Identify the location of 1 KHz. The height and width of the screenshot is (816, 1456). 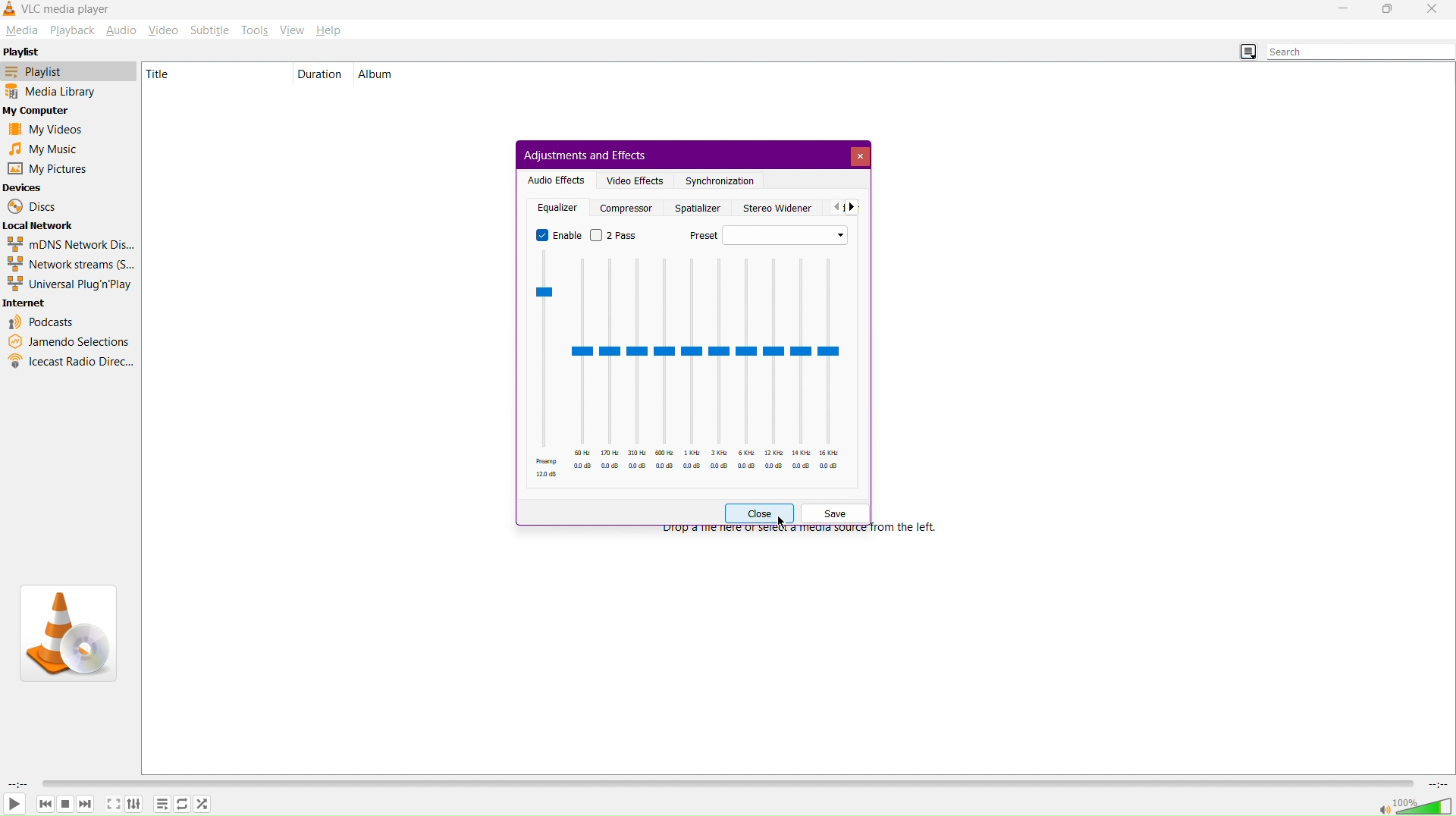
(691, 364).